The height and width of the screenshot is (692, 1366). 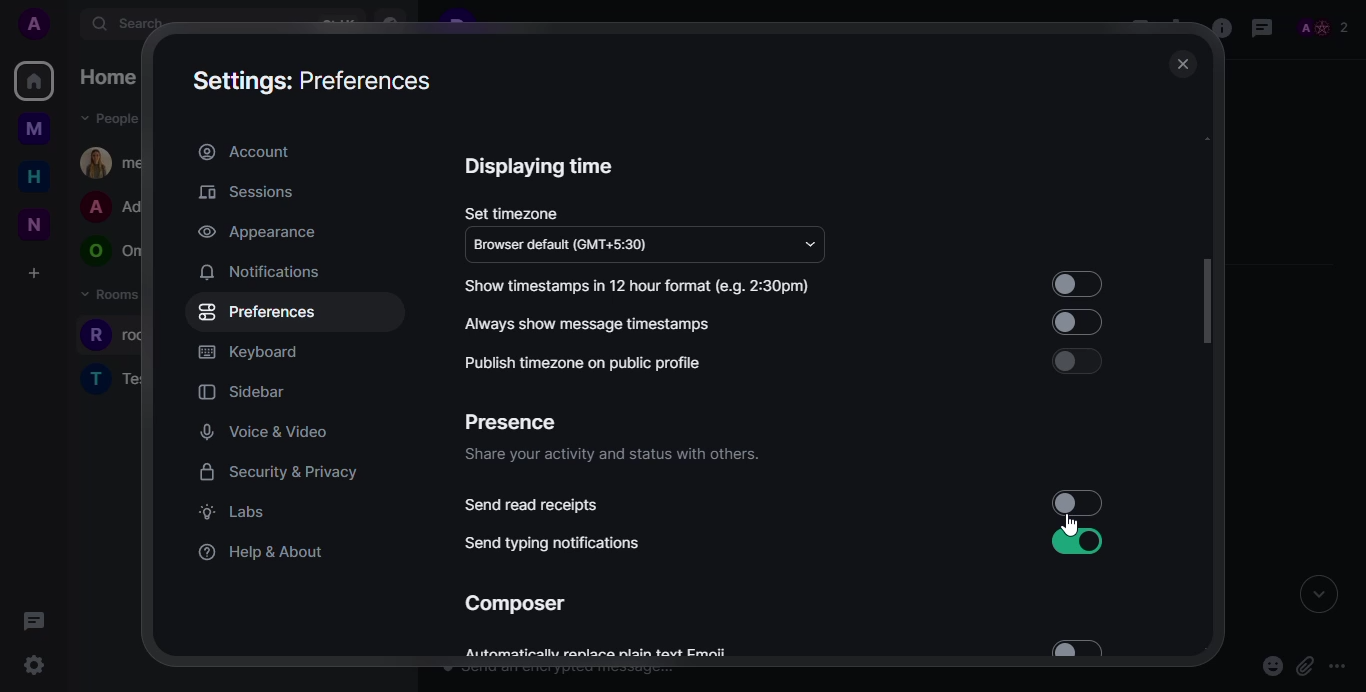 I want to click on set timexone, so click(x=514, y=213).